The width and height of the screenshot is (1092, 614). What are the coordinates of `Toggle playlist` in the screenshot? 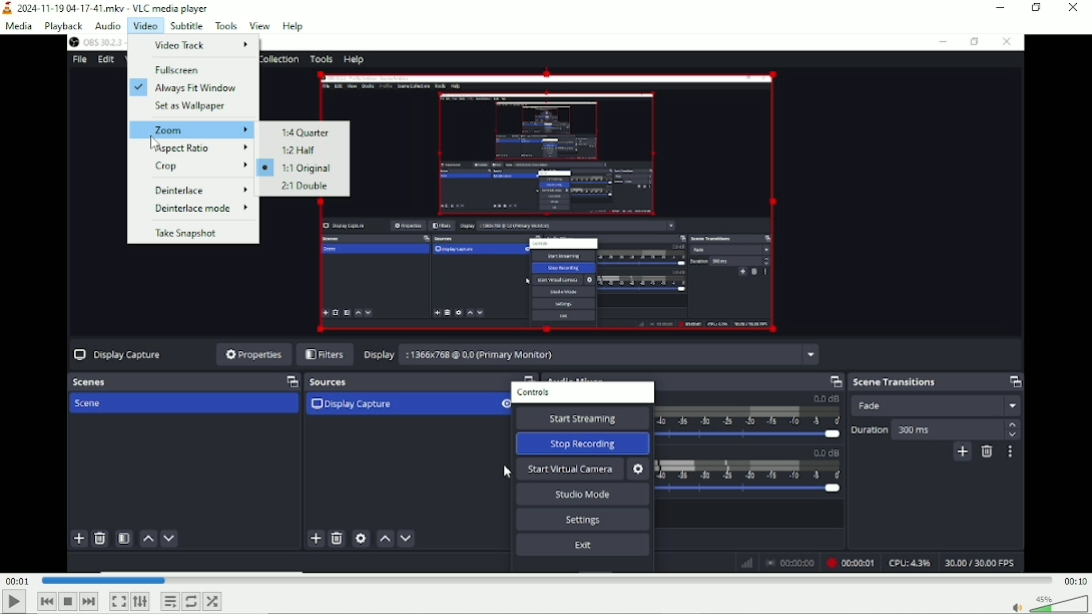 It's located at (170, 601).